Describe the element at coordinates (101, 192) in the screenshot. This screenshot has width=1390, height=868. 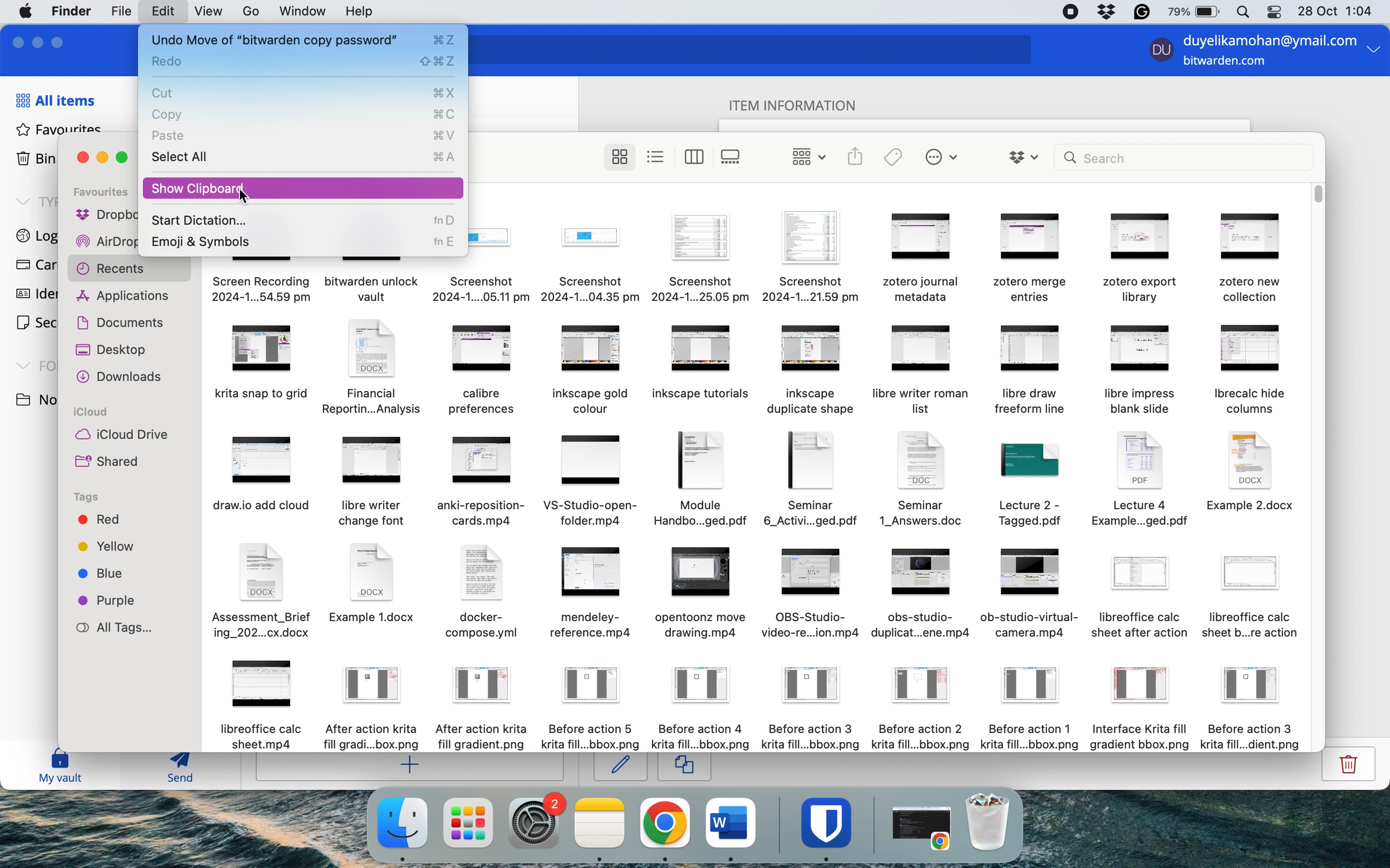
I see `favourites` at that location.